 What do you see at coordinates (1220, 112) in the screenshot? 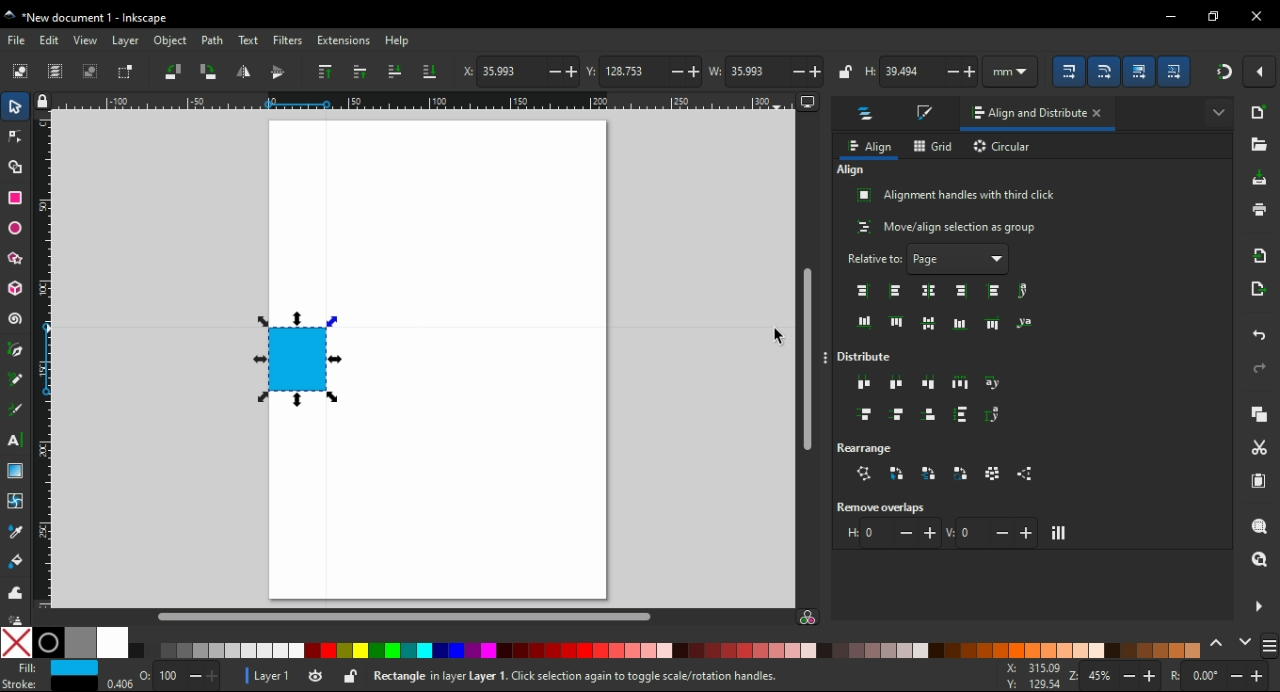
I see `show` at bounding box center [1220, 112].